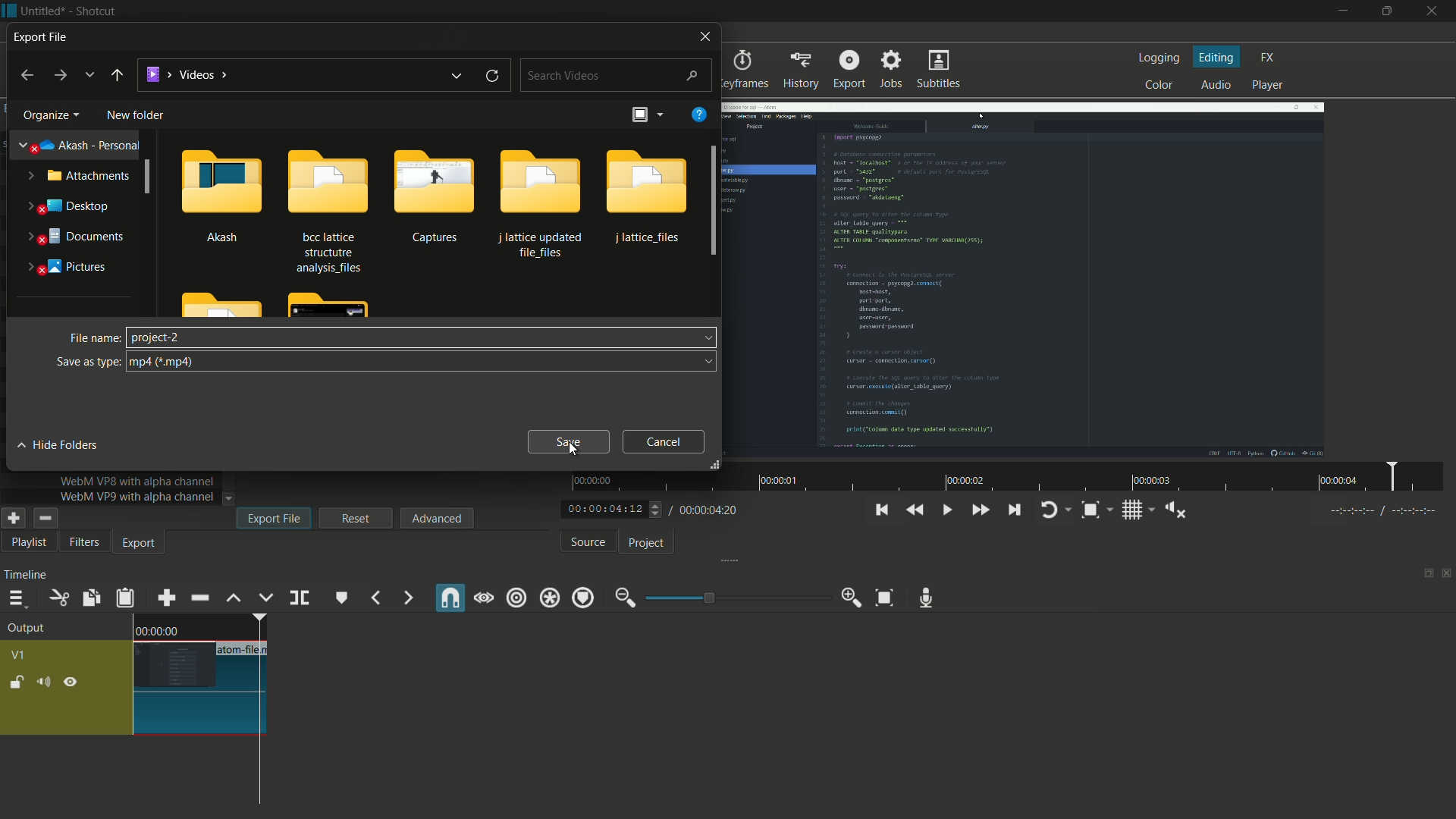  Describe the element at coordinates (137, 481) in the screenshot. I see `webm vp8 with alpha channel` at that location.